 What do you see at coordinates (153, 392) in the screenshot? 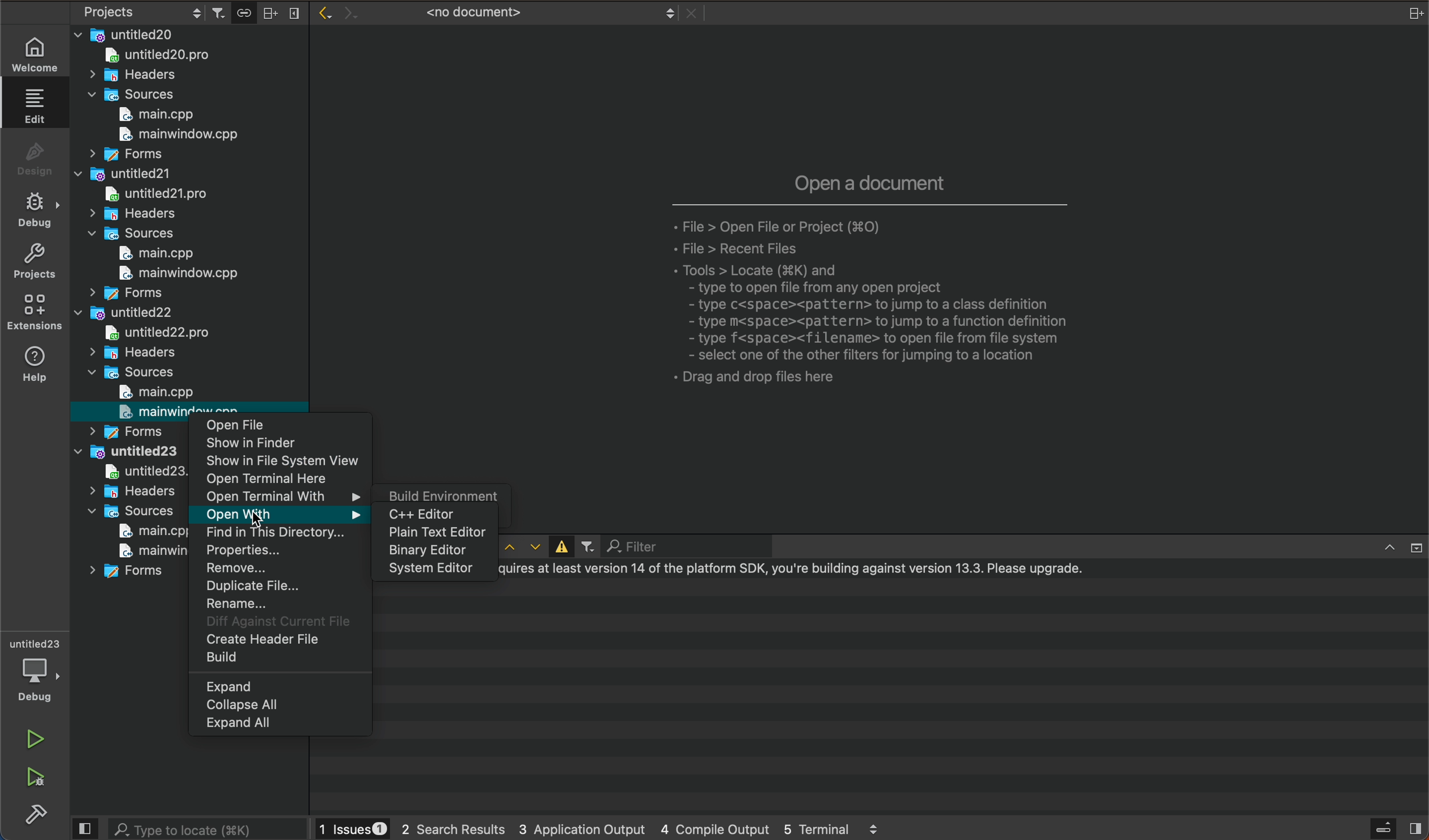
I see `main.cpp` at bounding box center [153, 392].